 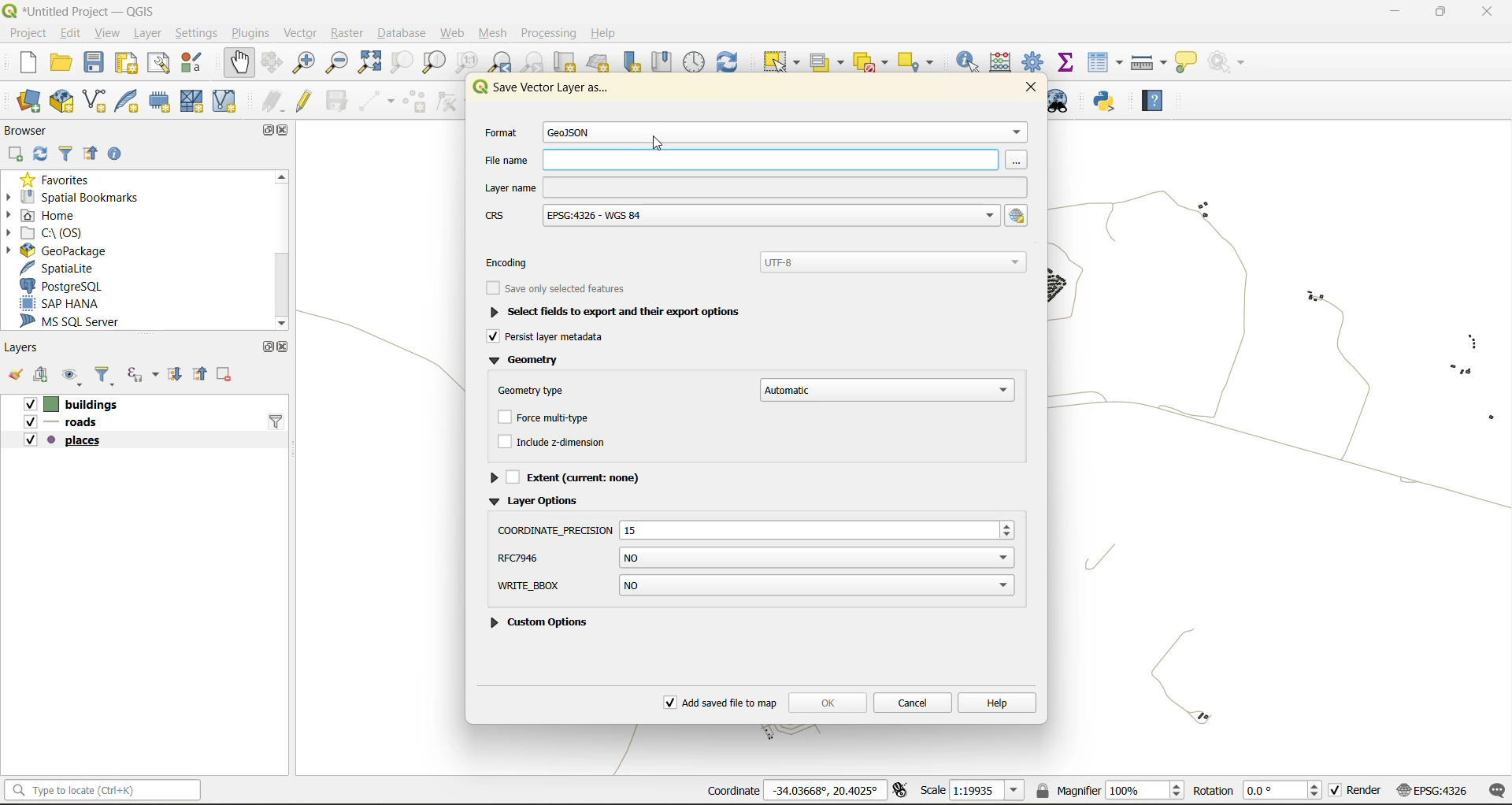 I want to click on filter, so click(x=278, y=421).